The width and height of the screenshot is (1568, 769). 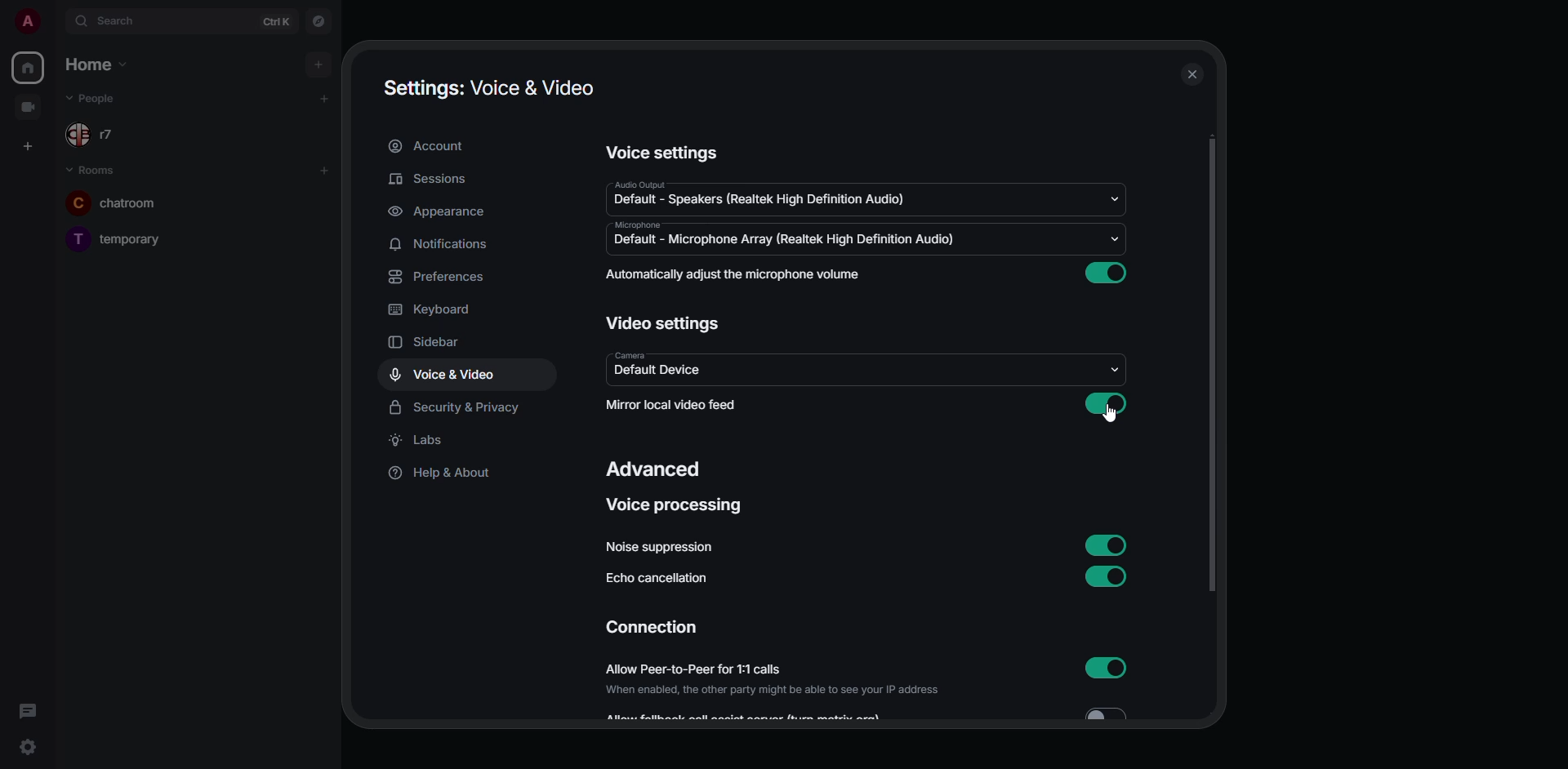 I want to click on threads, so click(x=26, y=711).